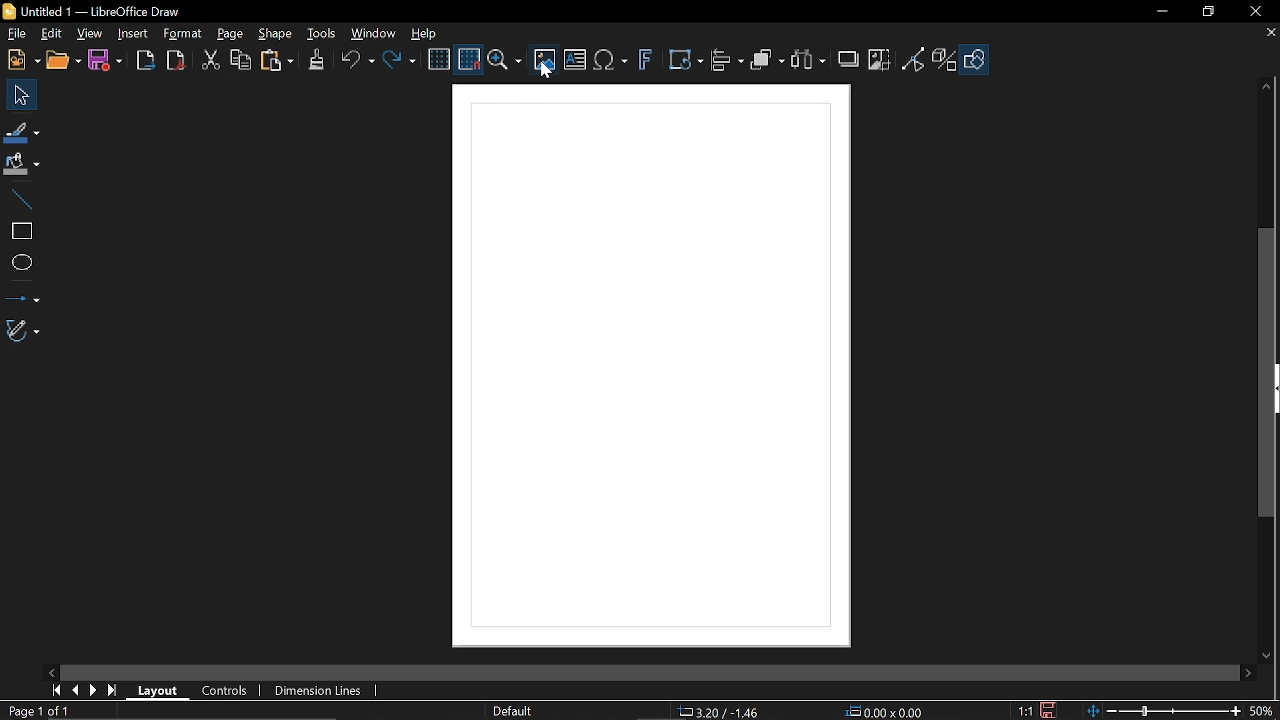 The width and height of the screenshot is (1280, 720). Describe the element at coordinates (116, 11) in the screenshot. I see `Current window` at that location.